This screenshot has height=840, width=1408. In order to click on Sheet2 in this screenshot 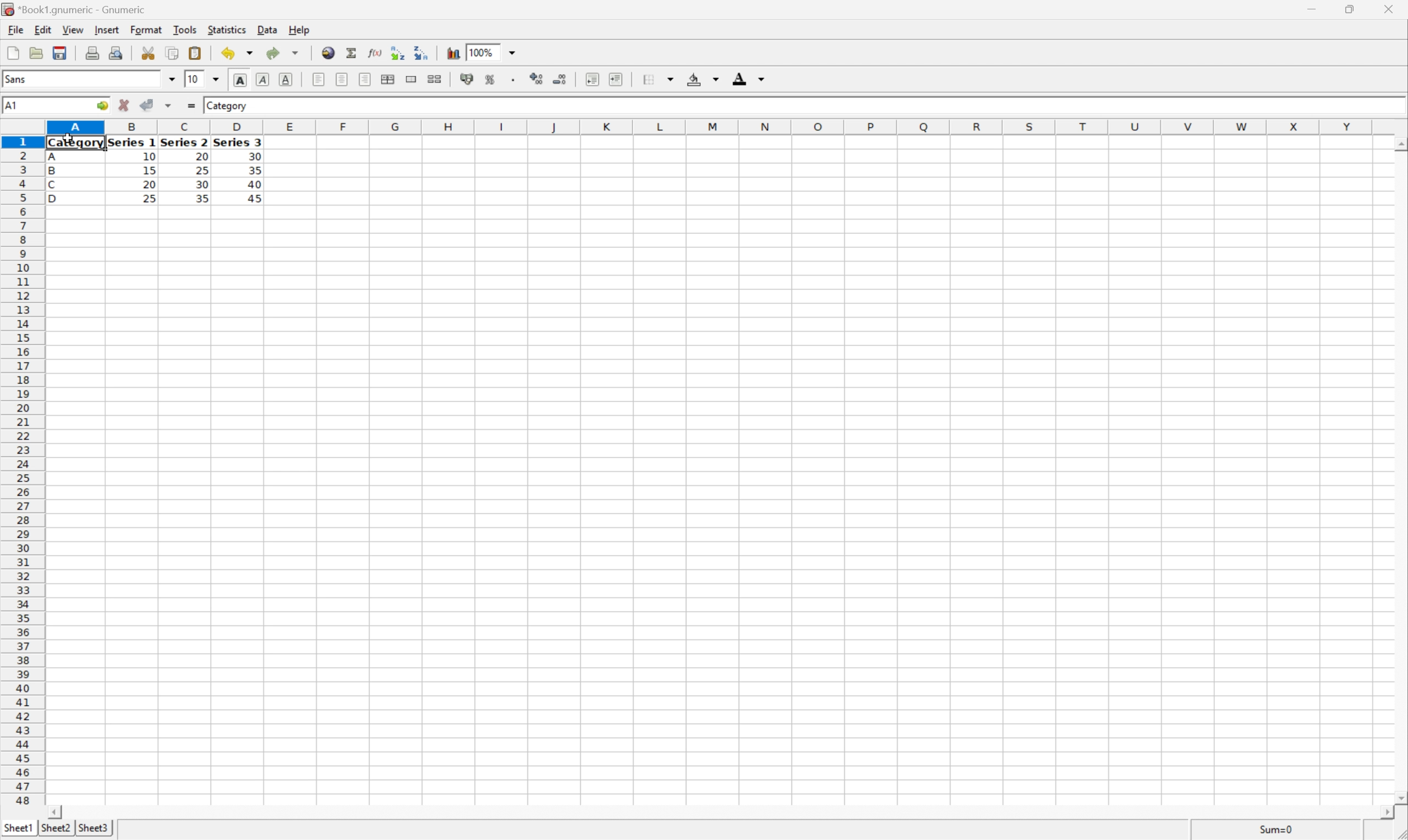, I will do `click(55, 828)`.